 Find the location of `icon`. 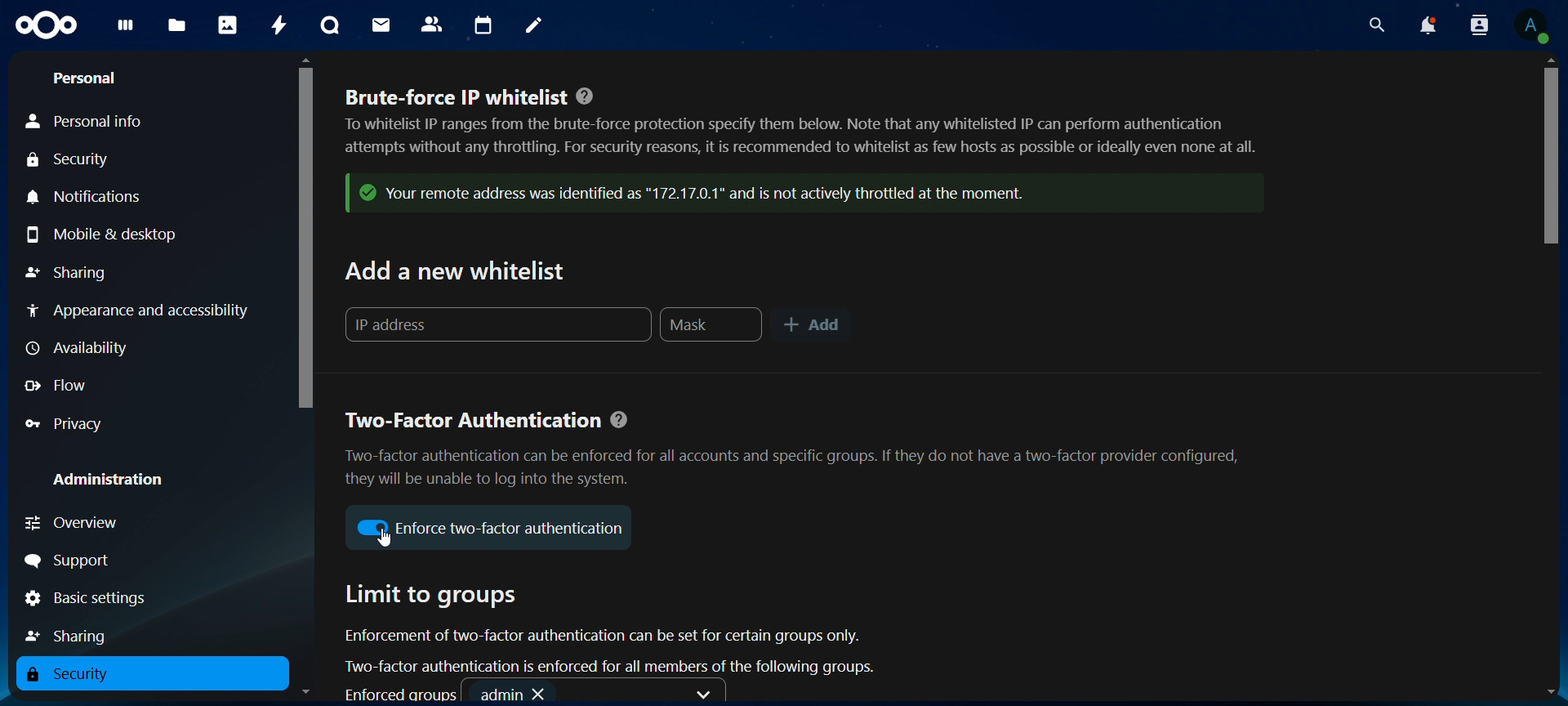

icon is located at coordinates (46, 25).